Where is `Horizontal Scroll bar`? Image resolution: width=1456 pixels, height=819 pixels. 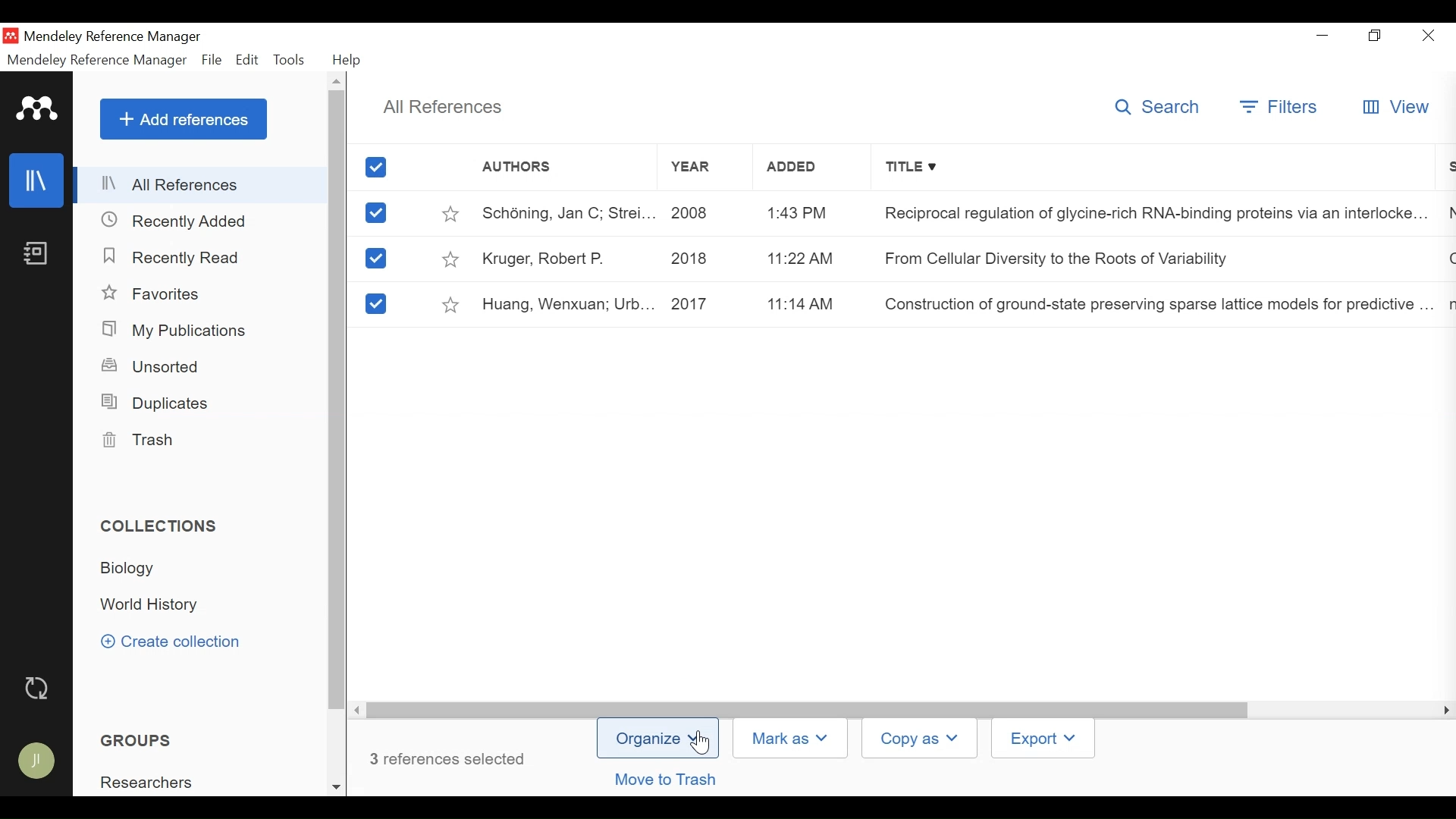 Horizontal Scroll bar is located at coordinates (808, 709).